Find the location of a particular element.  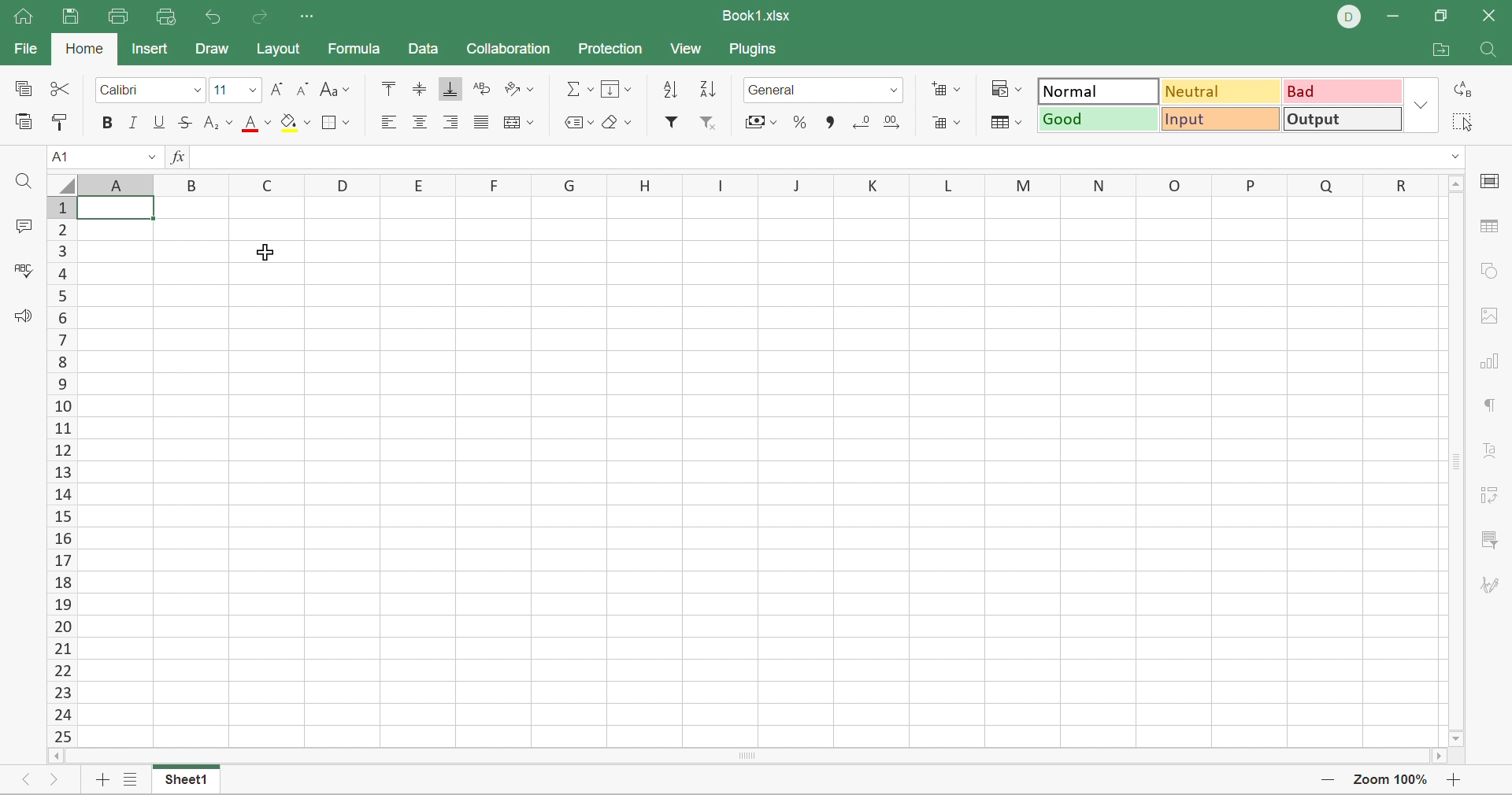

Underline is located at coordinates (161, 123).